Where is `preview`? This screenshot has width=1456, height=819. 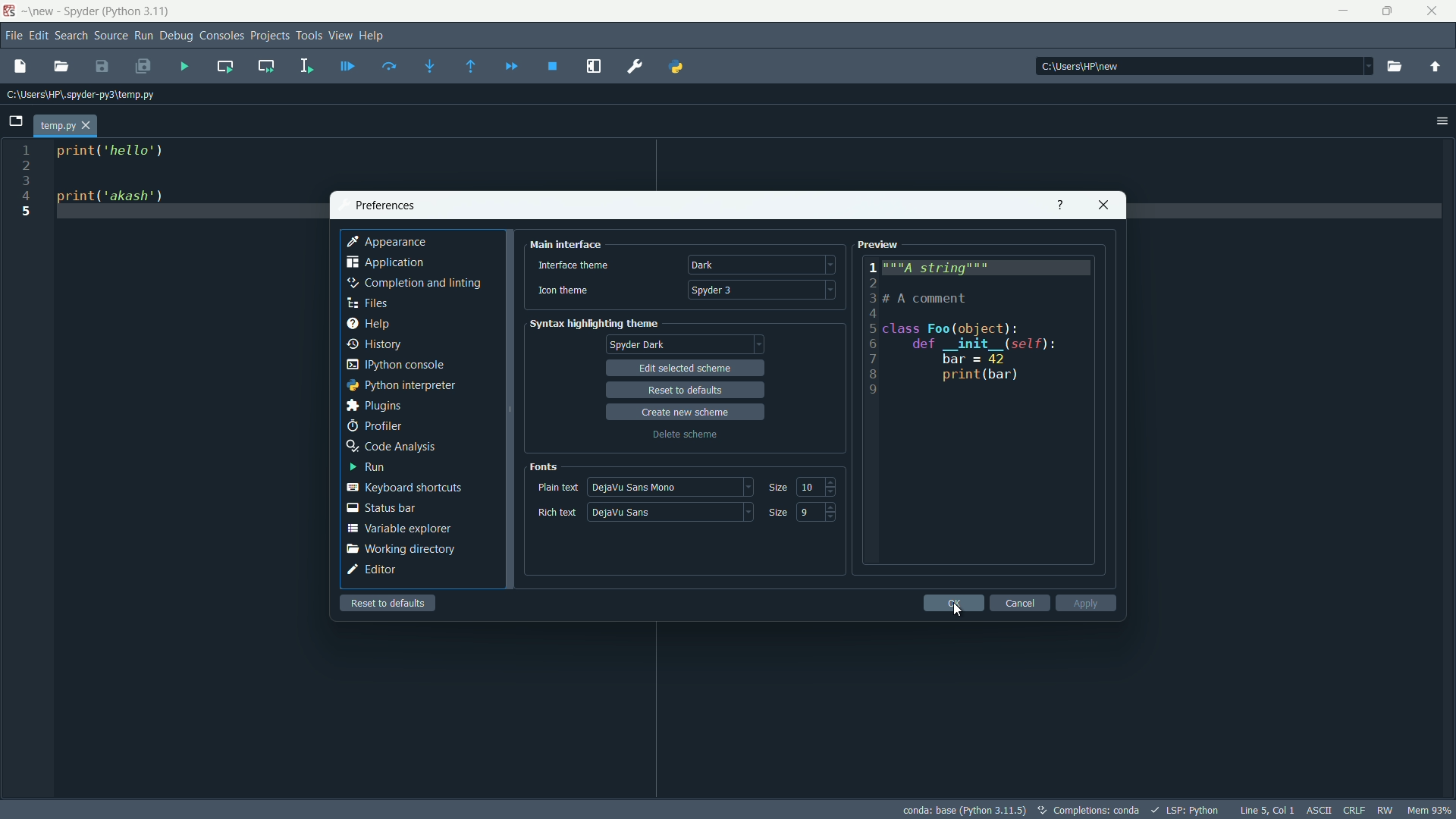 preview is located at coordinates (880, 246).